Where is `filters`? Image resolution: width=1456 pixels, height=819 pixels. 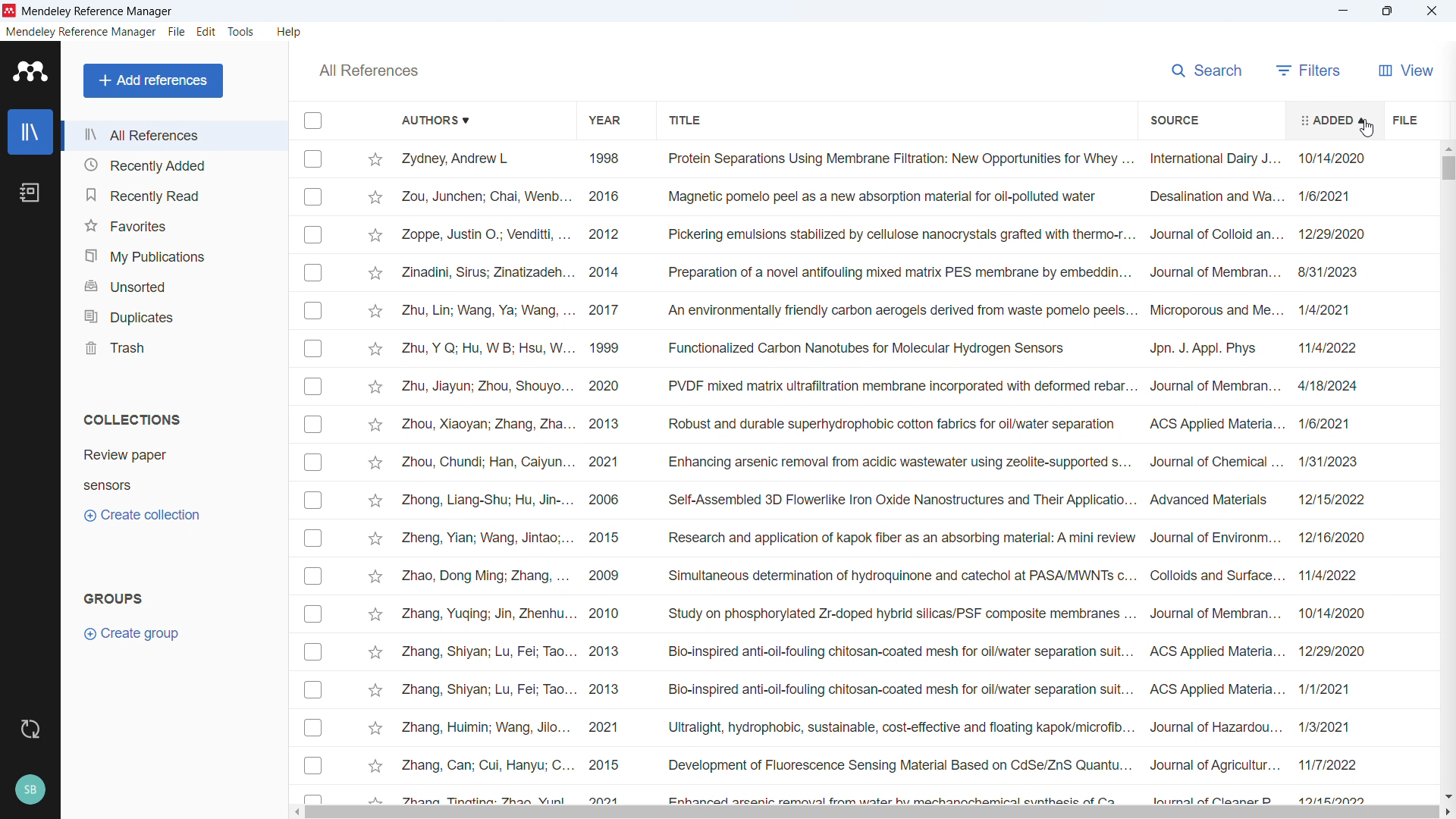
filters is located at coordinates (1310, 71).